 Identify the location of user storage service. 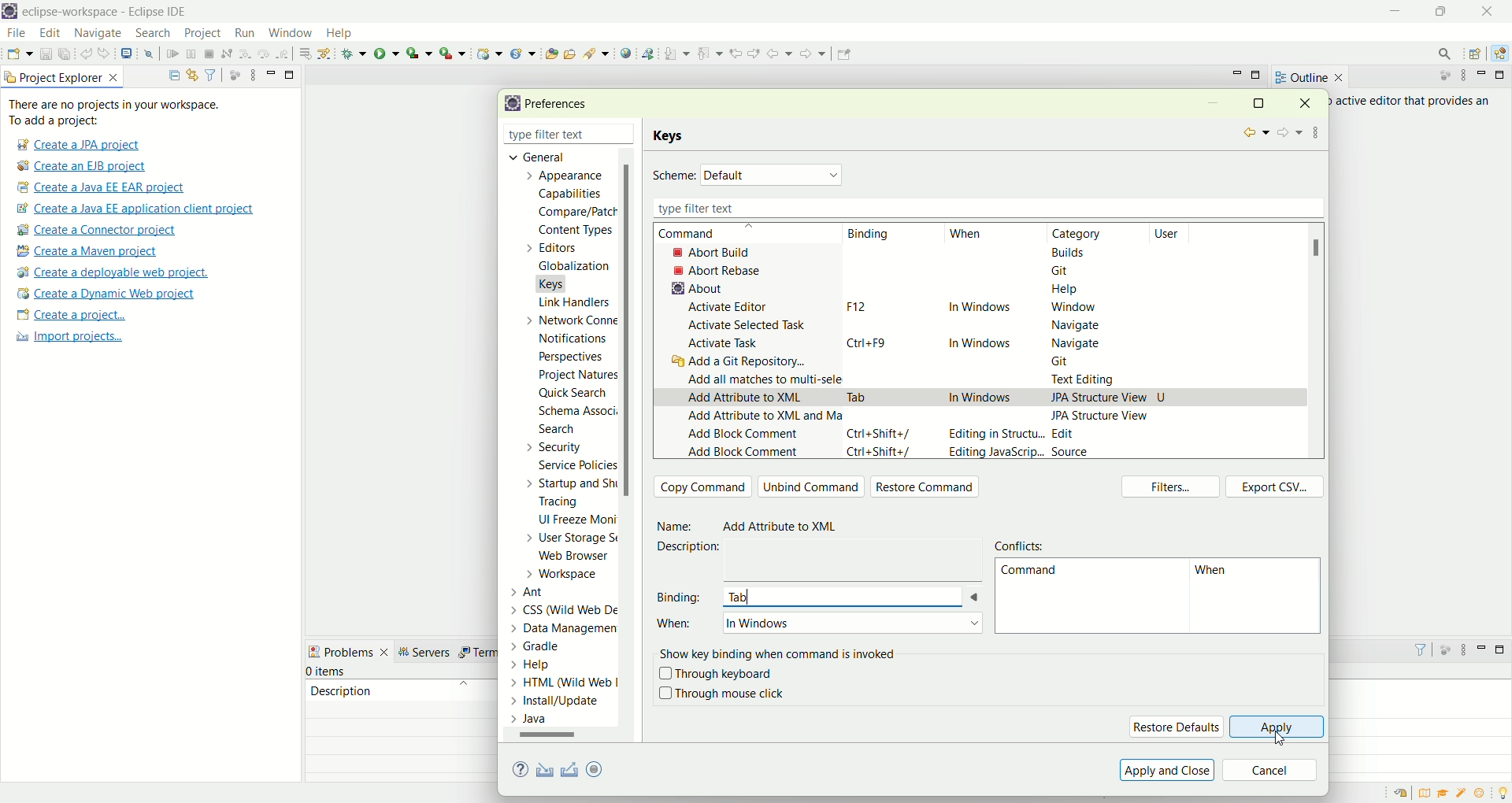
(573, 540).